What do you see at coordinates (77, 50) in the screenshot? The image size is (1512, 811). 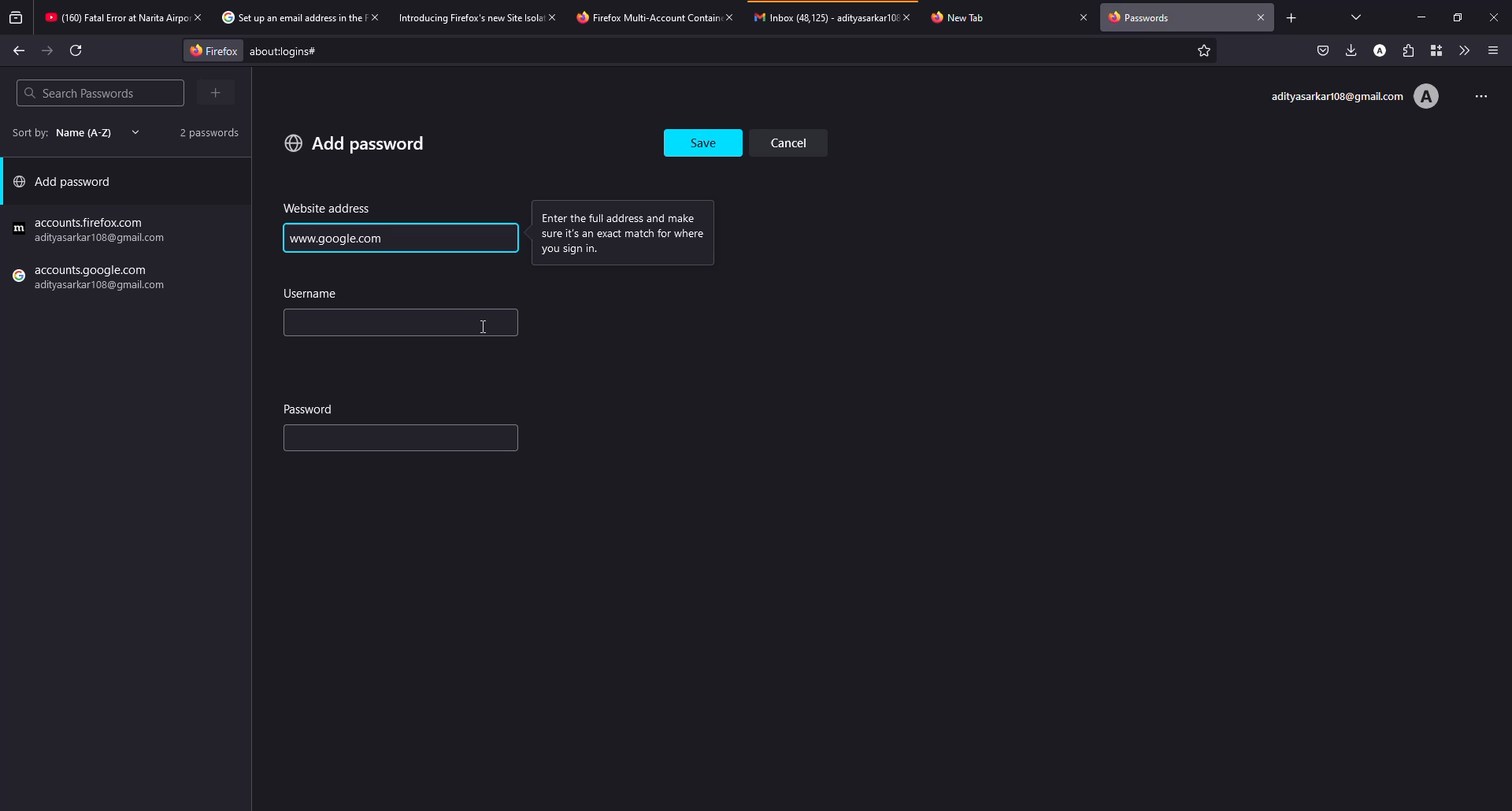 I see `refresh` at bounding box center [77, 50].